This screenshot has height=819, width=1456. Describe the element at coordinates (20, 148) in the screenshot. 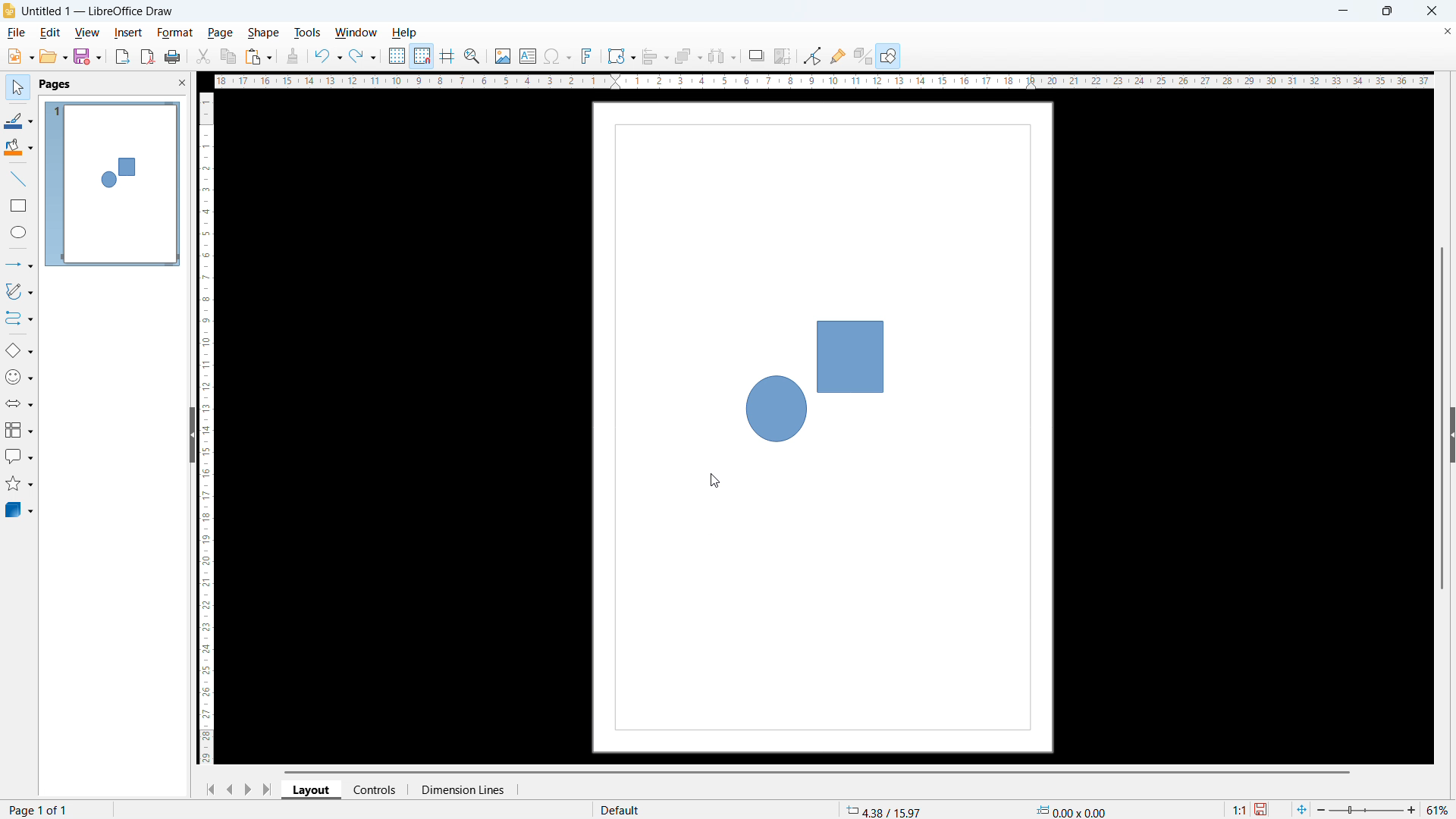

I see `background color` at that location.